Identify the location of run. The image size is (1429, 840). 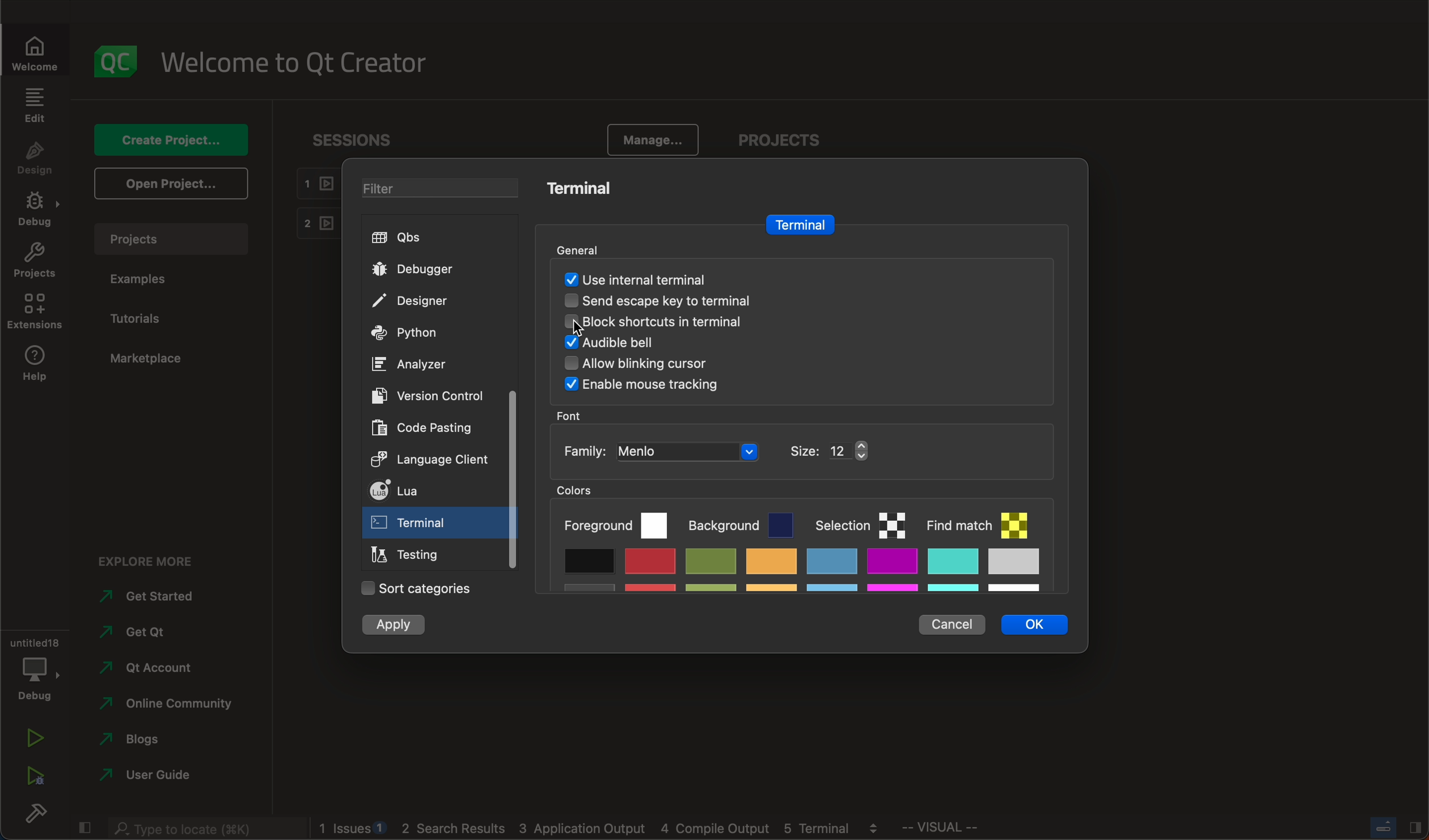
(30, 740).